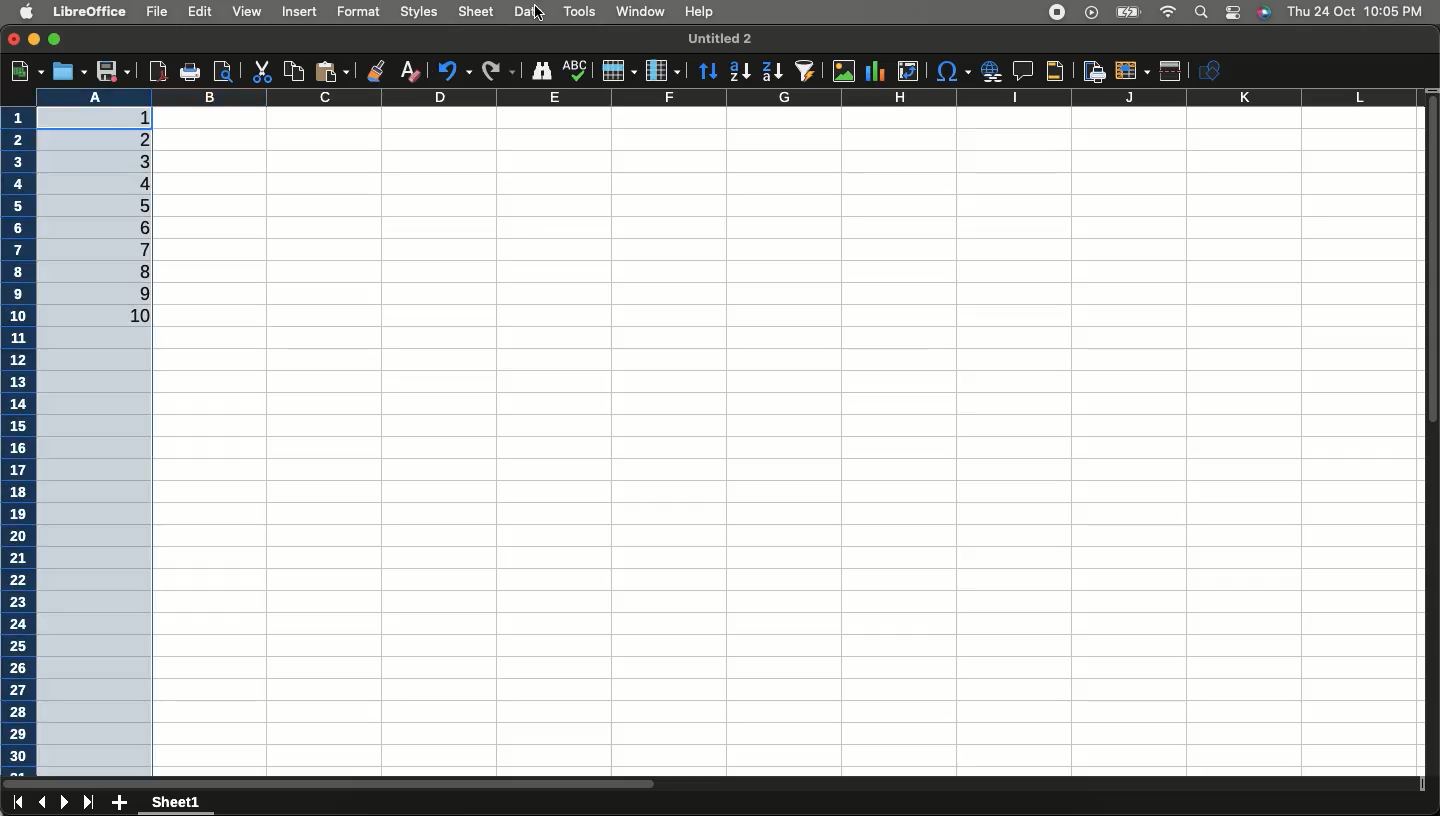 Image resolution: width=1440 pixels, height=816 pixels. What do you see at coordinates (479, 11) in the screenshot?
I see `Sheet` at bounding box center [479, 11].